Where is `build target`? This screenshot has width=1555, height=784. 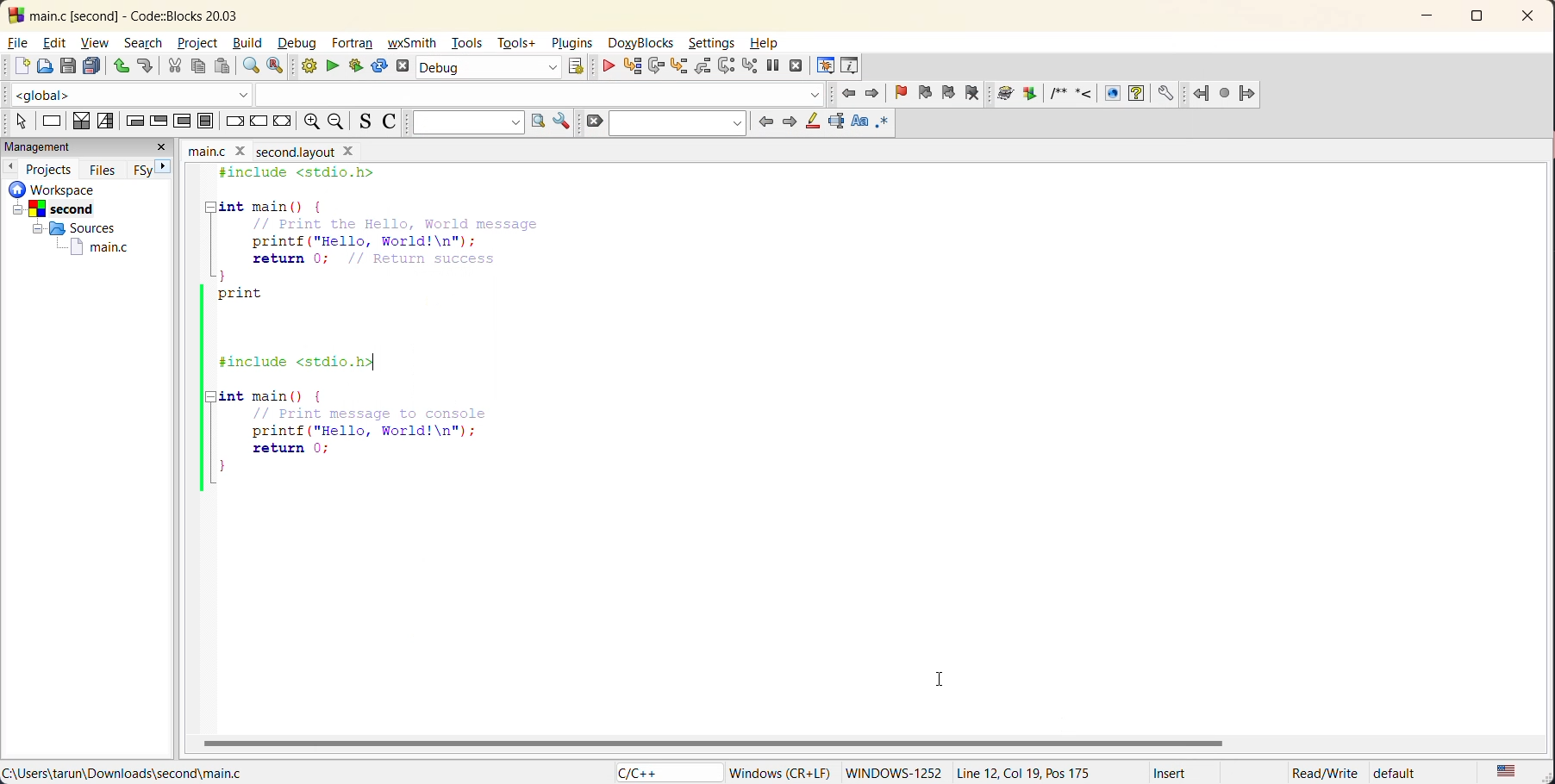
build target is located at coordinates (489, 68).